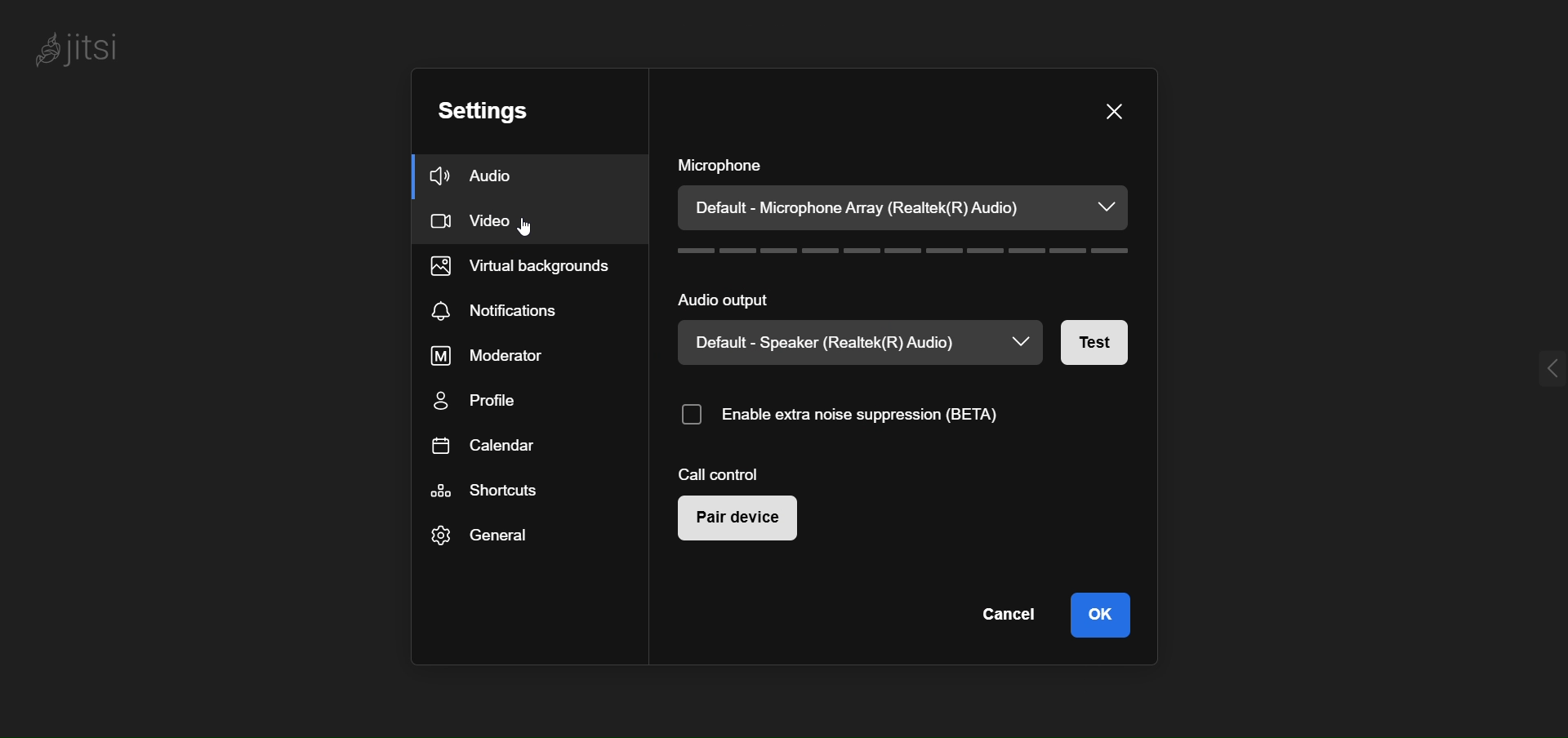  I want to click on dropdown, so click(1023, 341).